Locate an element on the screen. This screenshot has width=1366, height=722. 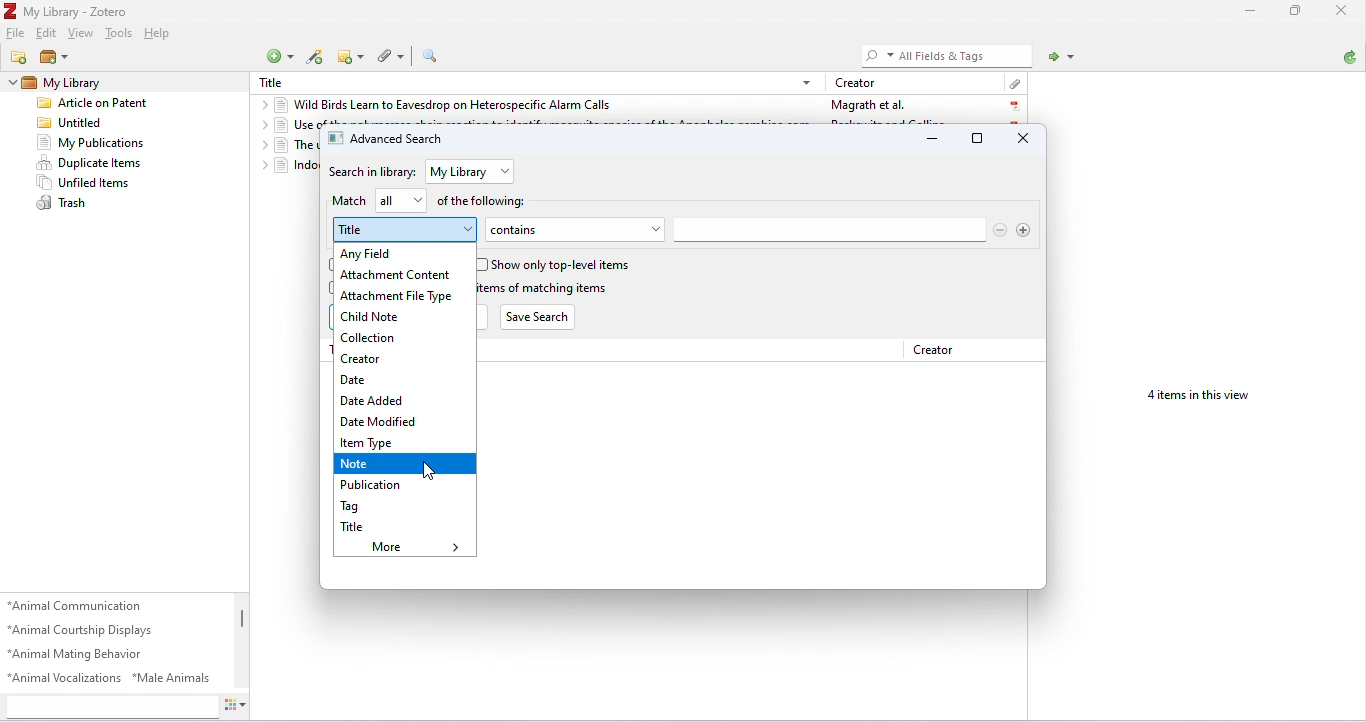
Magrath et al. is located at coordinates (868, 105).